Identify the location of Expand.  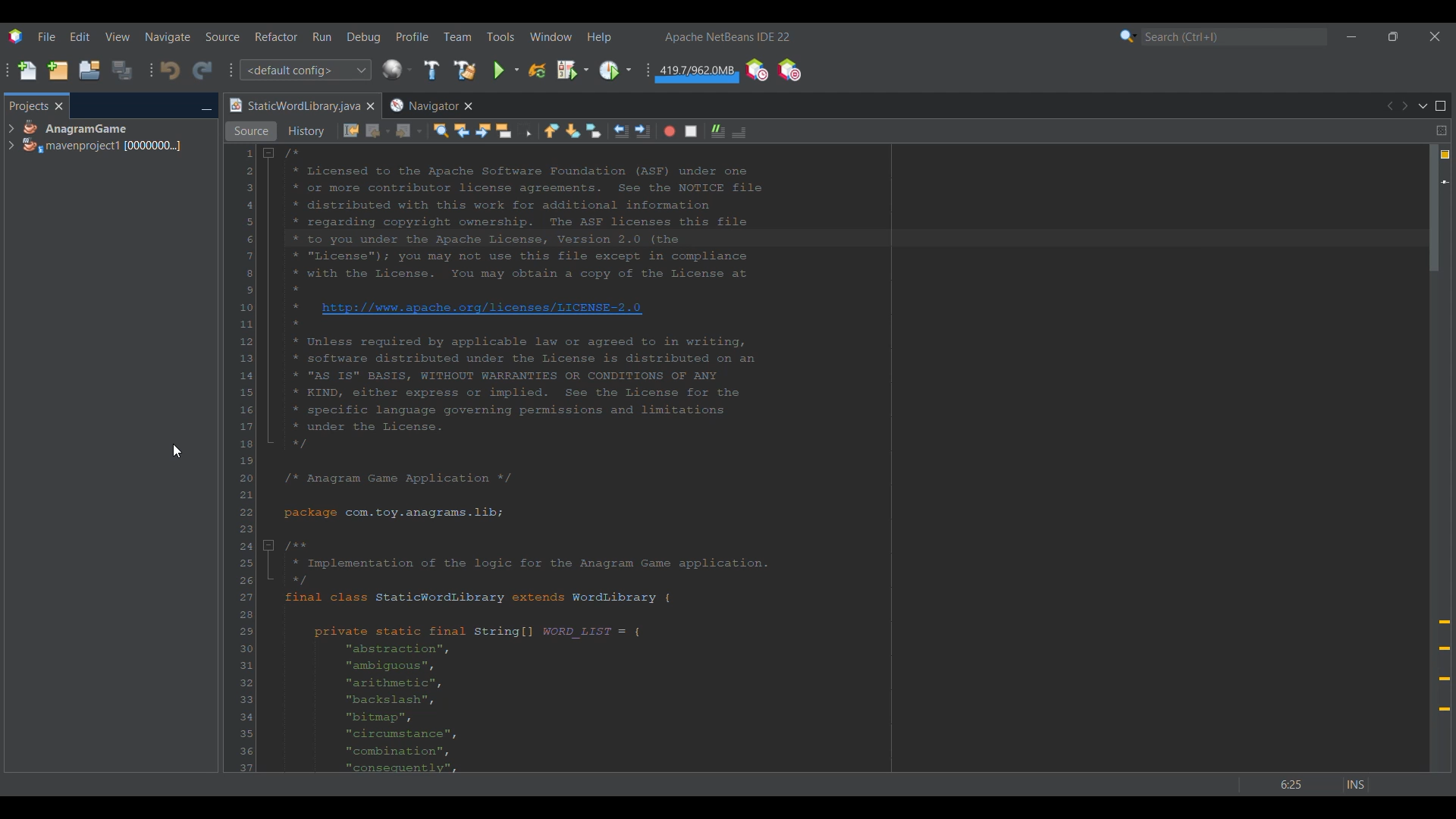
(11, 137).